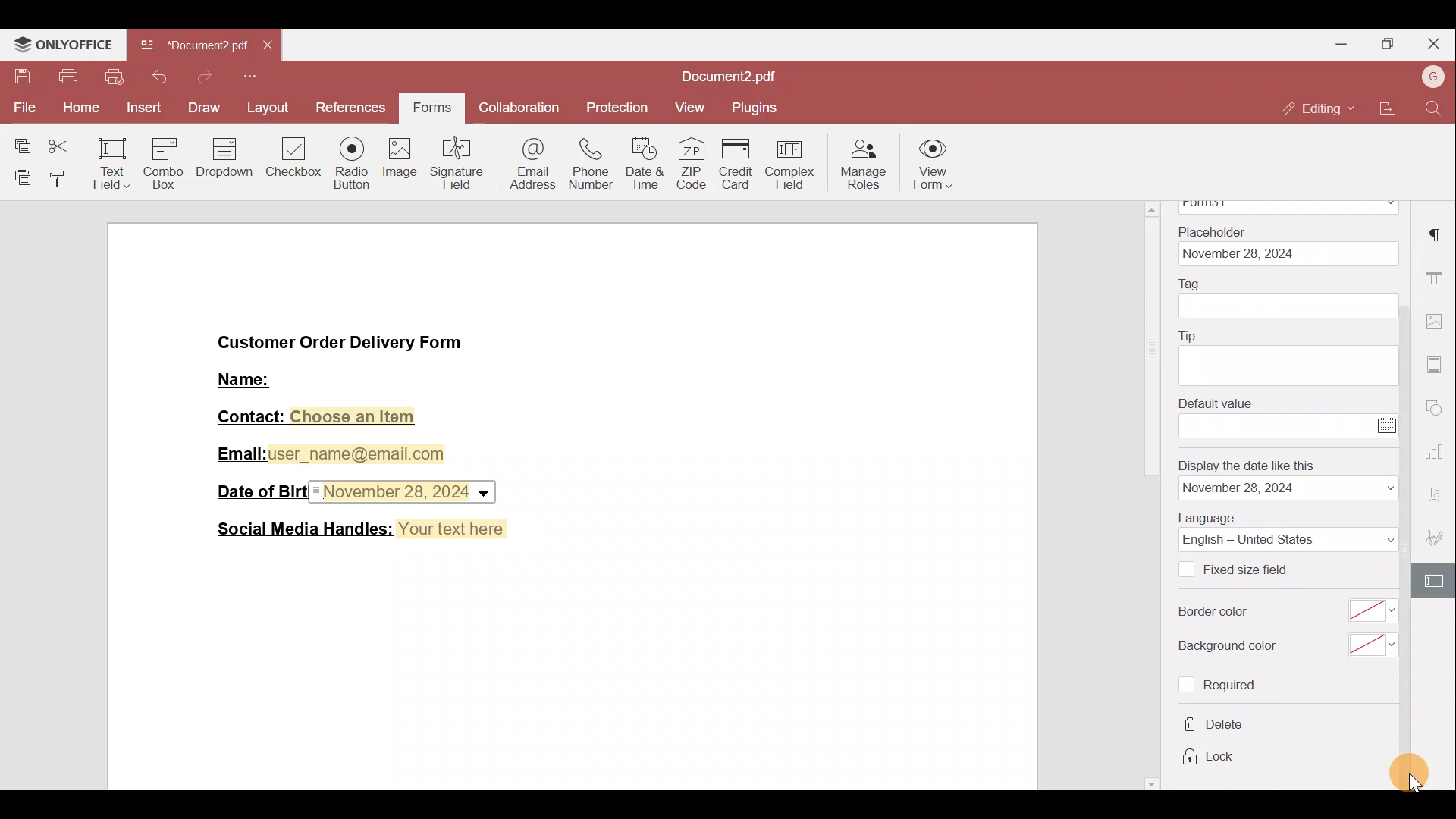 The width and height of the screenshot is (1456, 819). I want to click on required, so click(1228, 685).